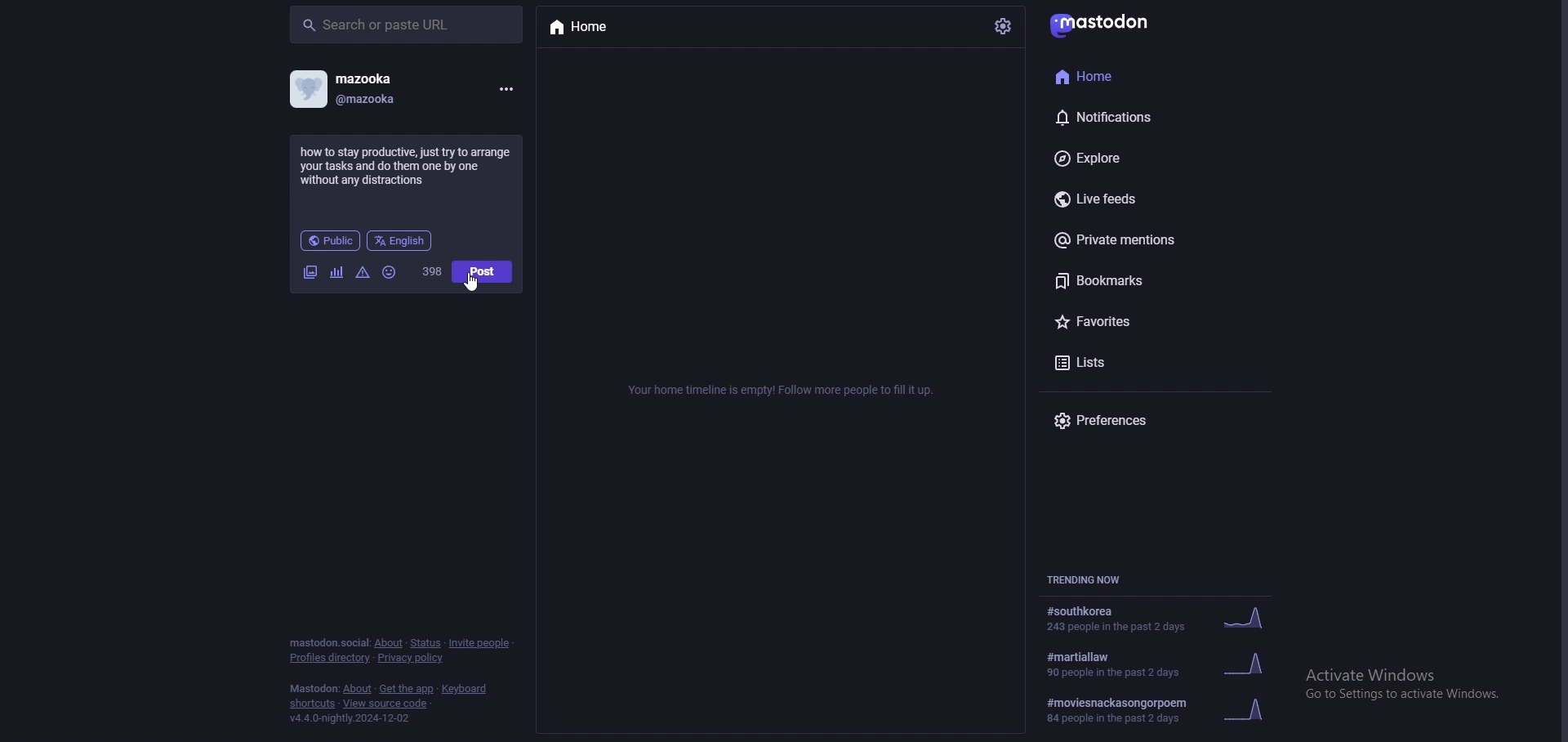  I want to click on chart, so click(337, 272).